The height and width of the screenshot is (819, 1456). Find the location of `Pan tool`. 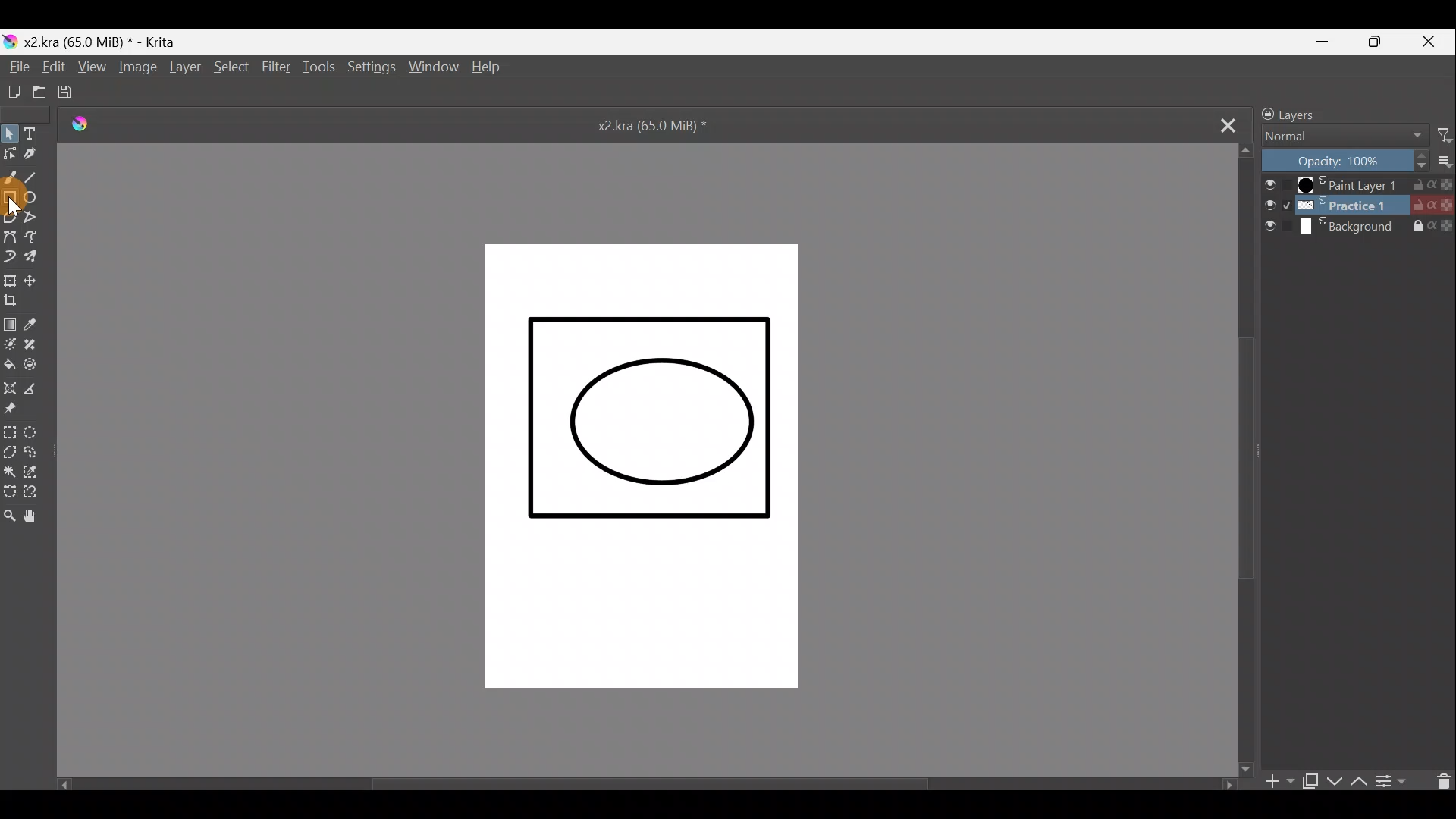

Pan tool is located at coordinates (36, 514).